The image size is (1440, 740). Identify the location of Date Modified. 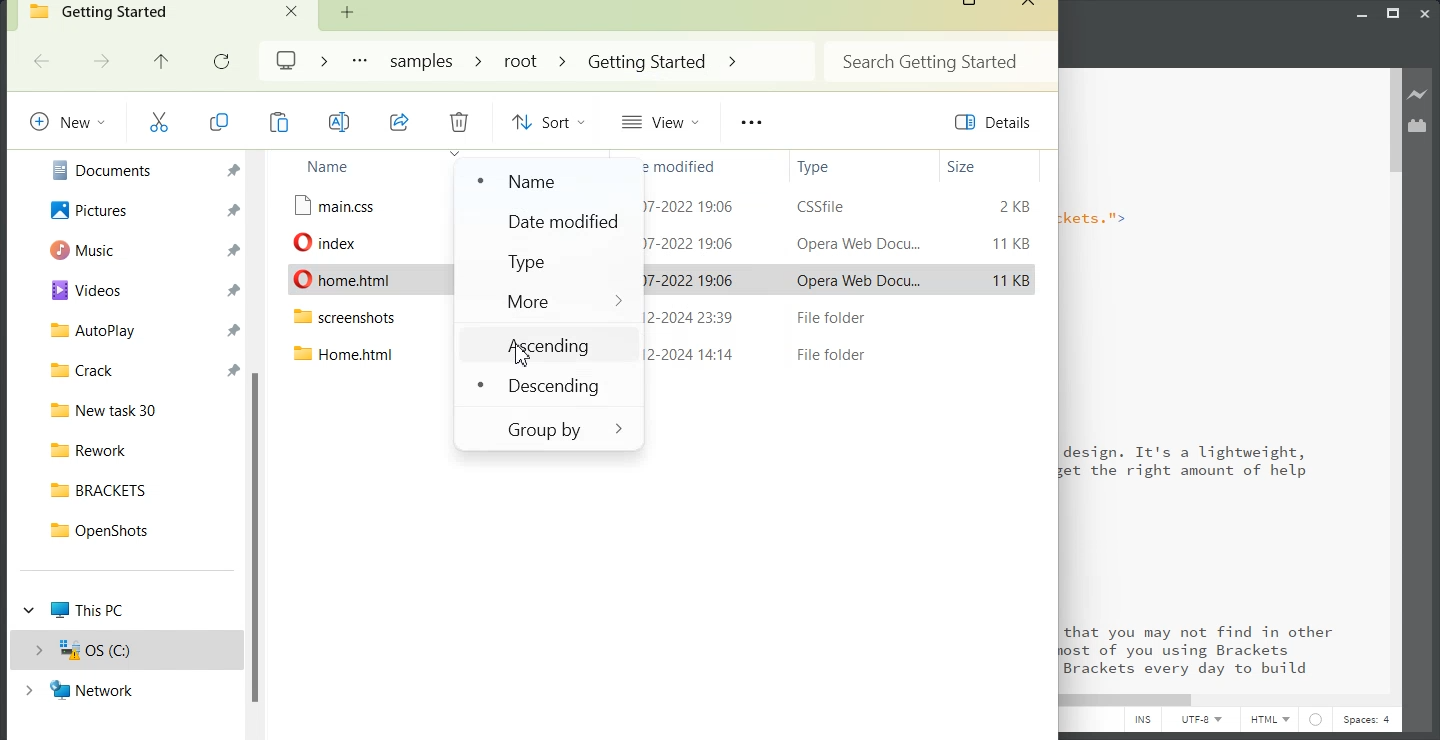
(549, 223).